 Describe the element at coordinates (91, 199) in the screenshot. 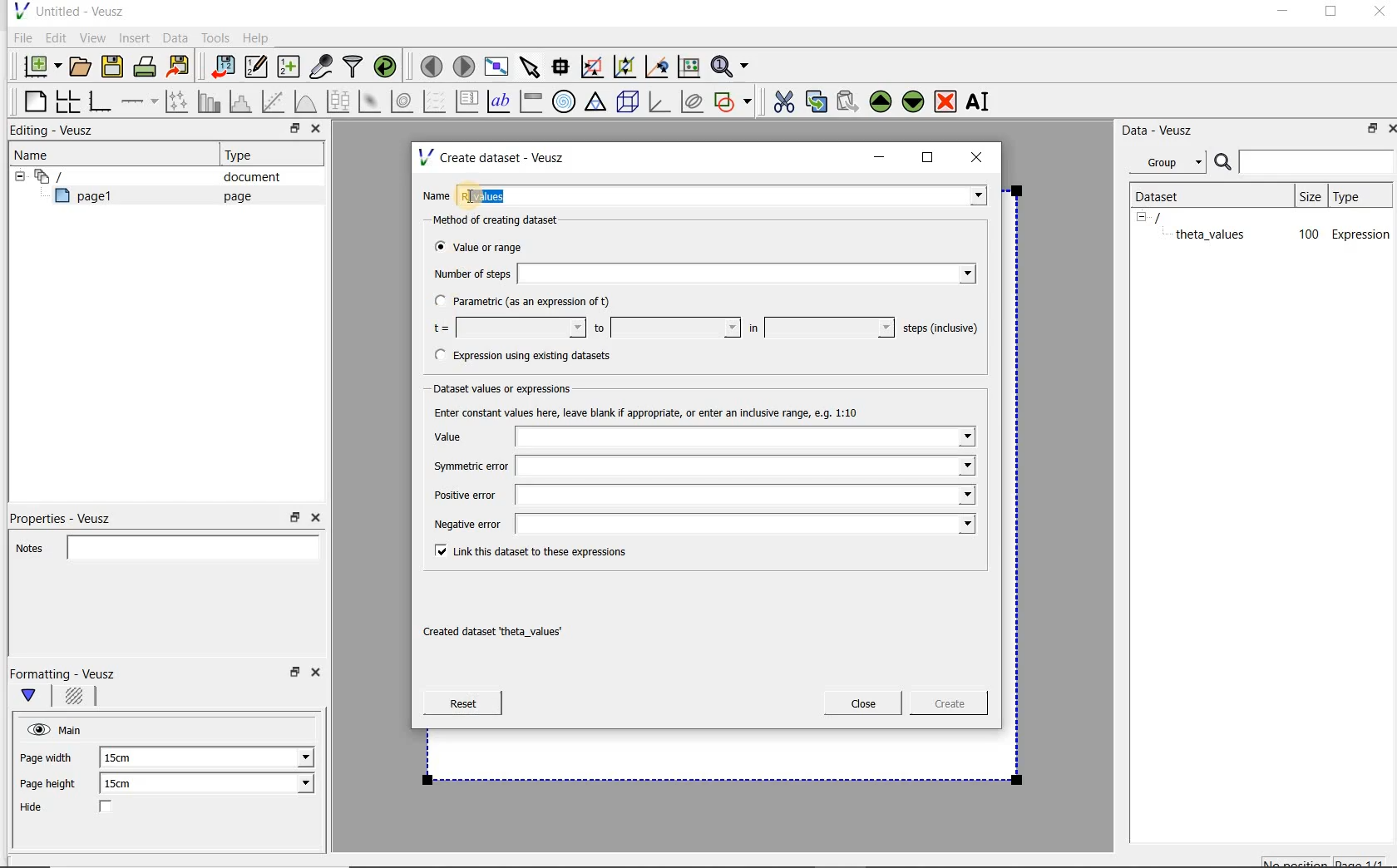

I see `page1` at that location.